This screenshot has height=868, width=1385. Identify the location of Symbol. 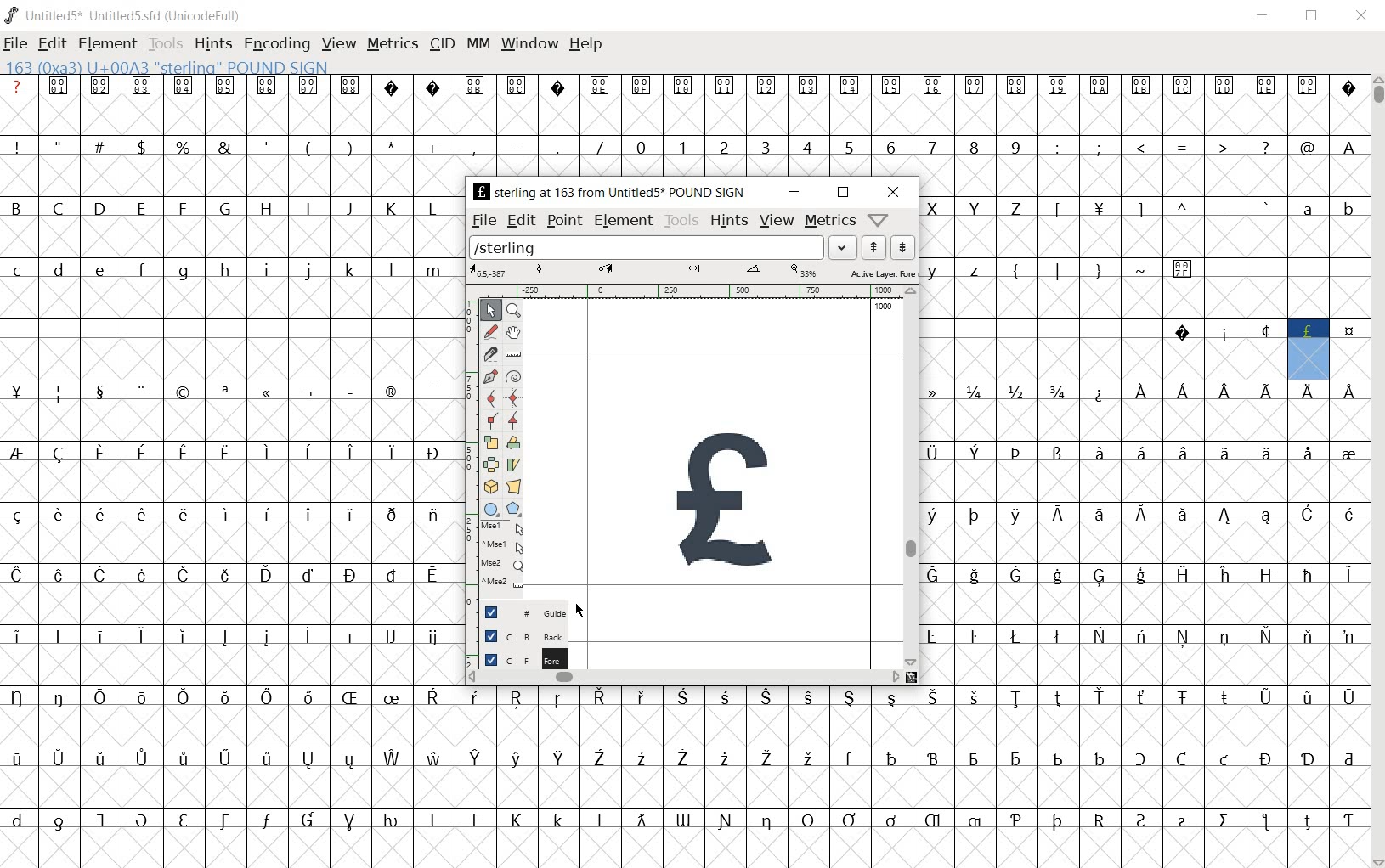
(975, 697).